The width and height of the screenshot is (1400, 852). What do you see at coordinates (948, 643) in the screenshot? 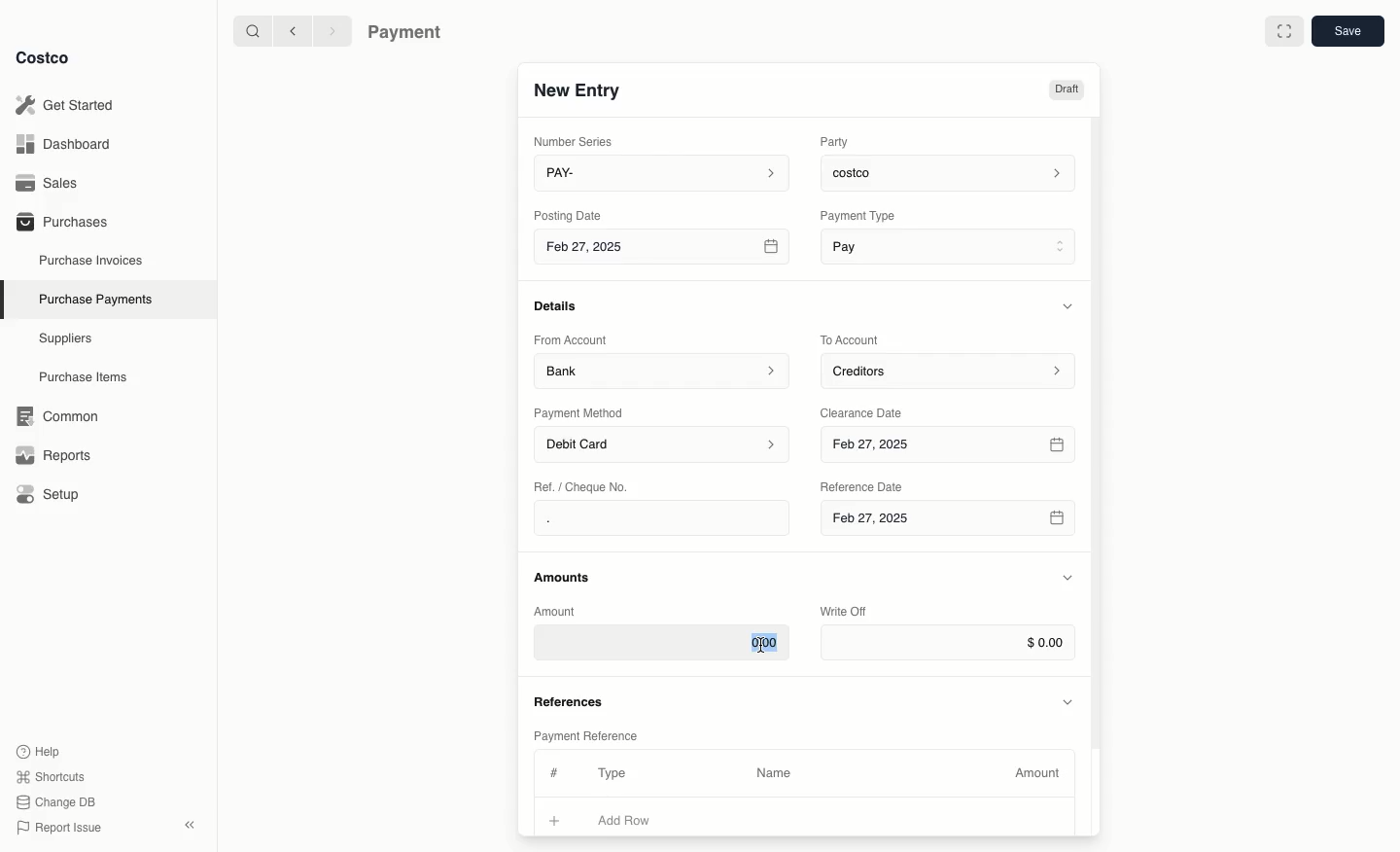
I see `$0.00` at bounding box center [948, 643].